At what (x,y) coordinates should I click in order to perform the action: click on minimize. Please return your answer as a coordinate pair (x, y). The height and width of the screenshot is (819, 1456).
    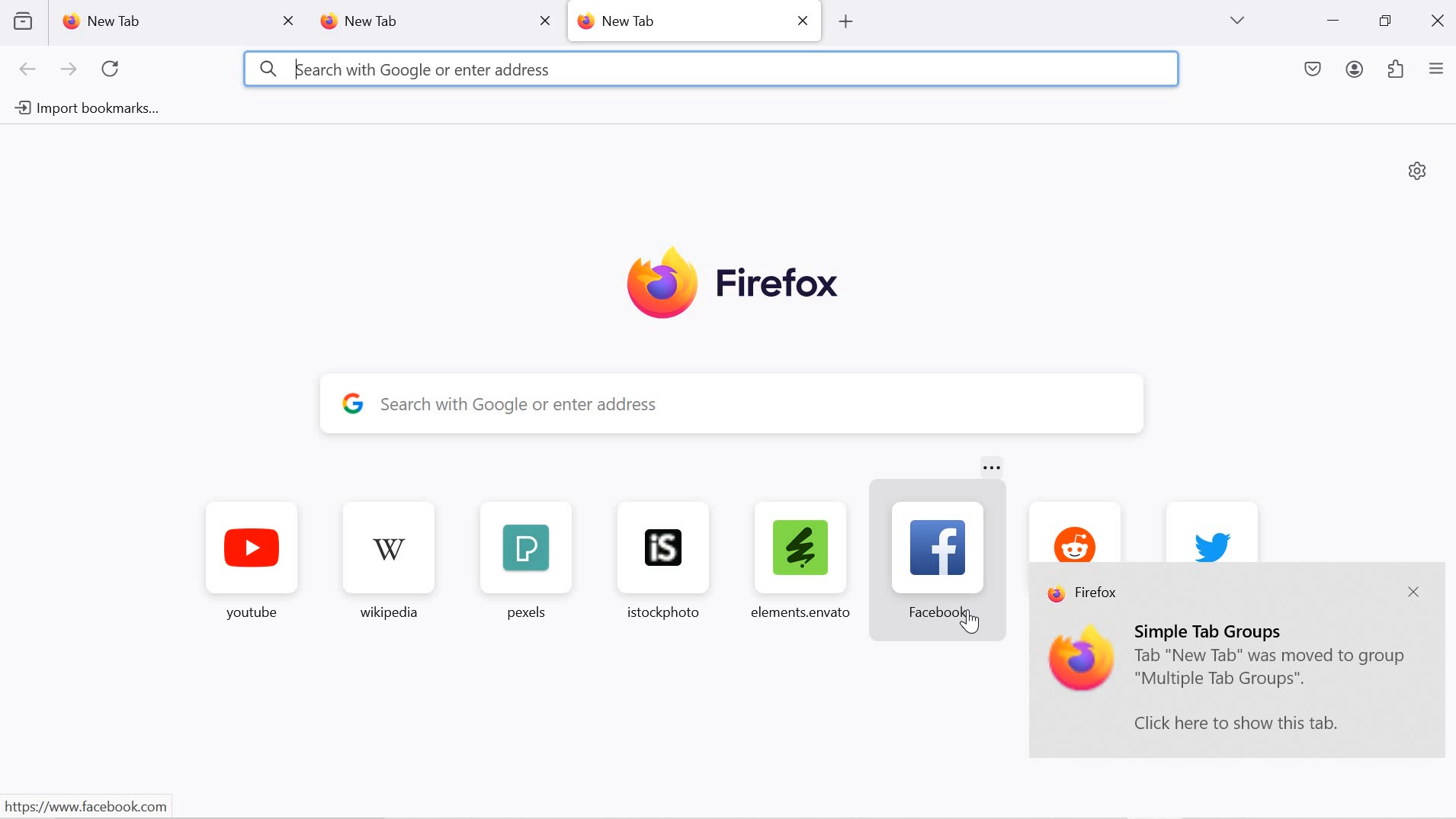
    Looking at the image, I should click on (1333, 22).